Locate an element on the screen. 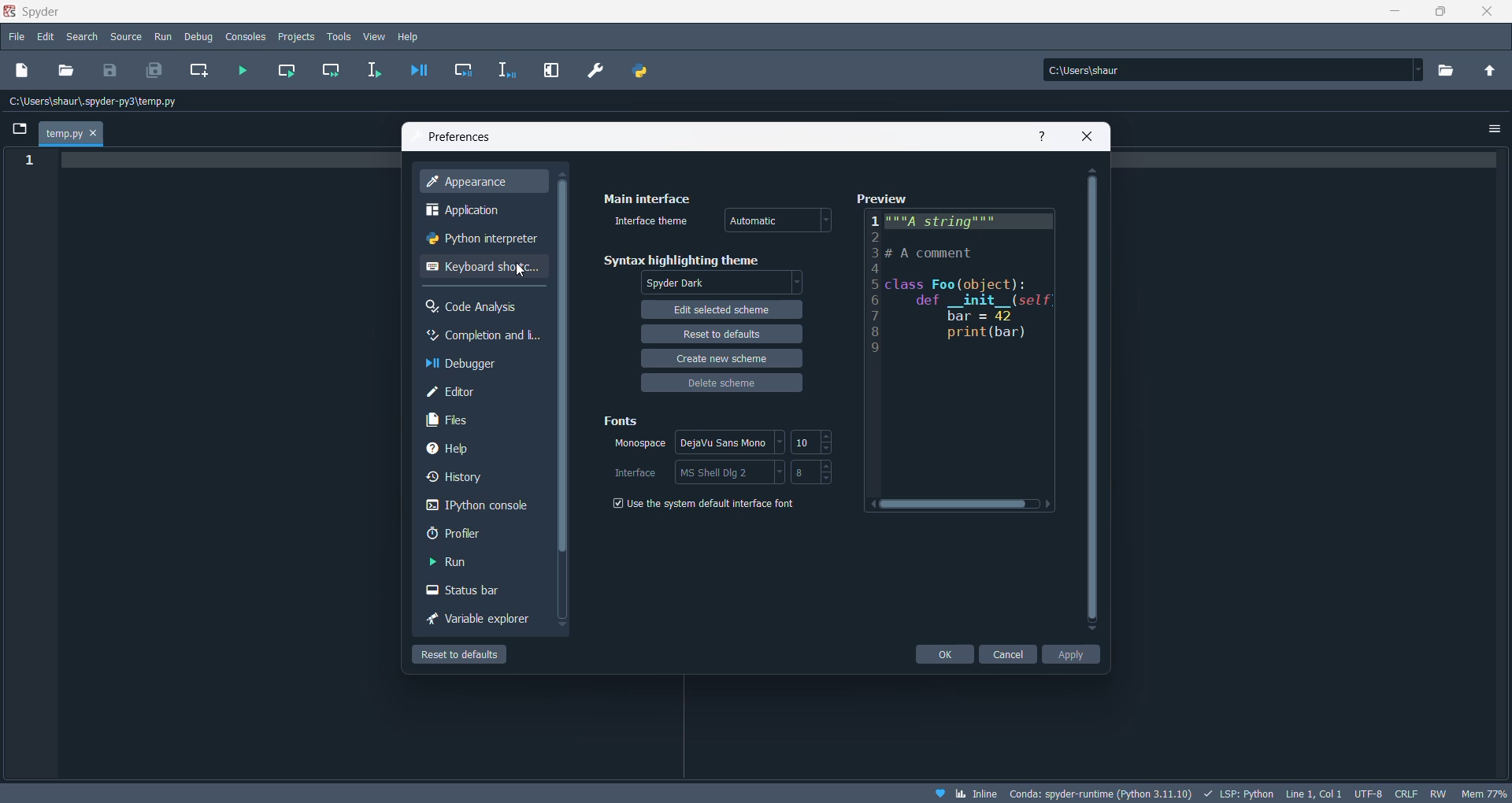  inserface is located at coordinates (634, 473).